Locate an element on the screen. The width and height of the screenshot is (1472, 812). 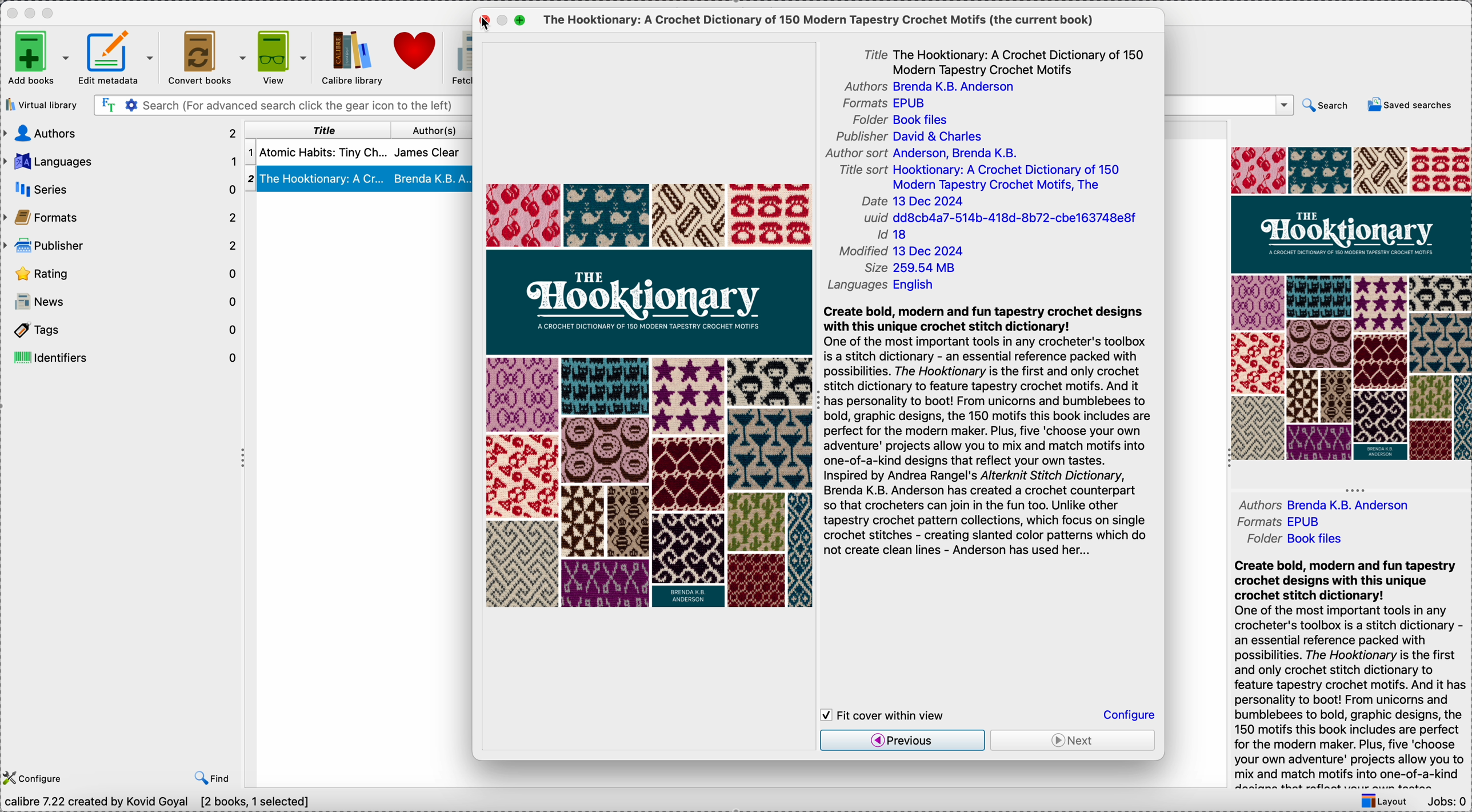
configure is located at coordinates (1129, 715).